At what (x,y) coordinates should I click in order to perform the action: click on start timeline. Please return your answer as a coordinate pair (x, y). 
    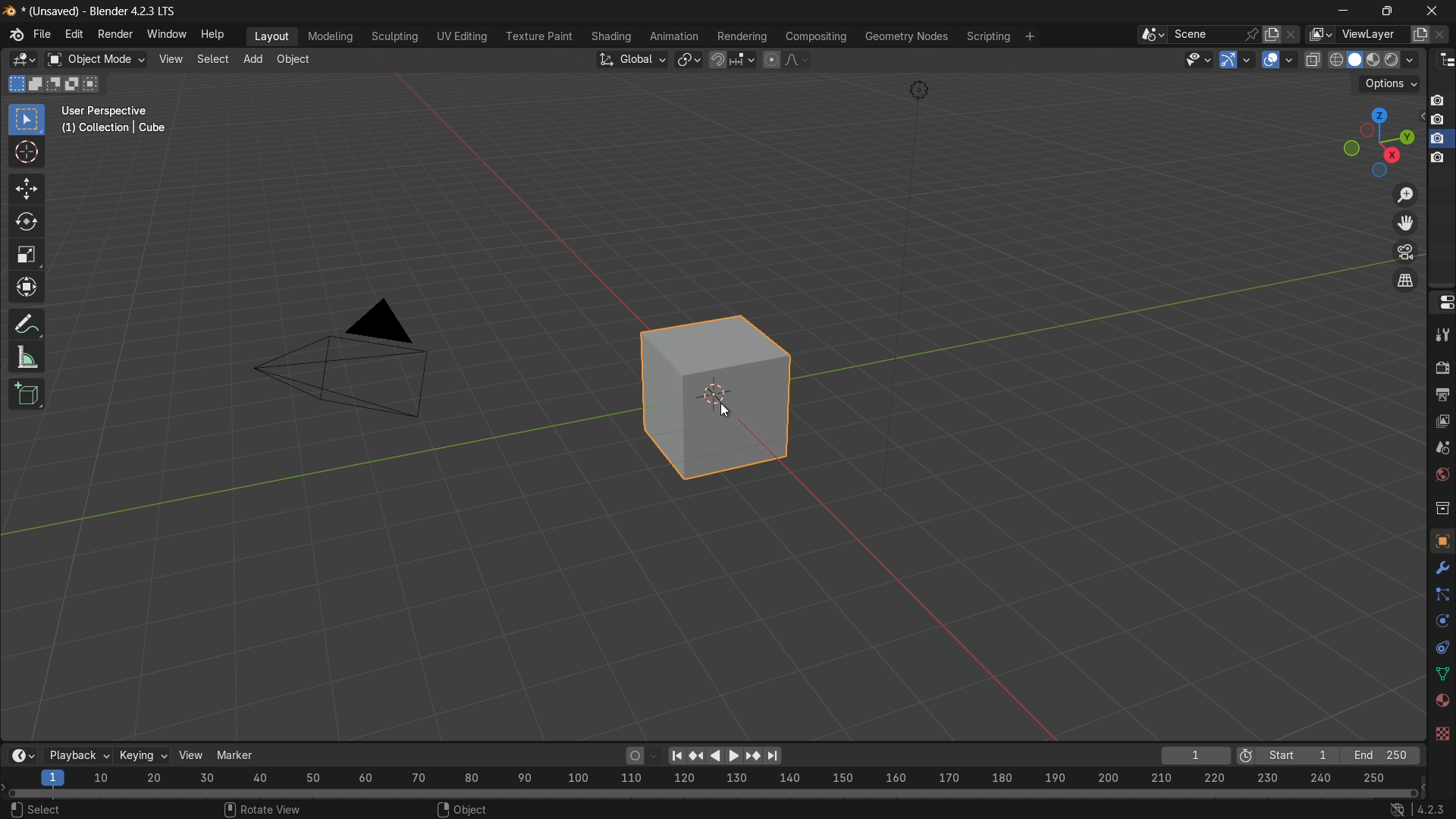
    Looking at the image, I should click on (1298, 756).